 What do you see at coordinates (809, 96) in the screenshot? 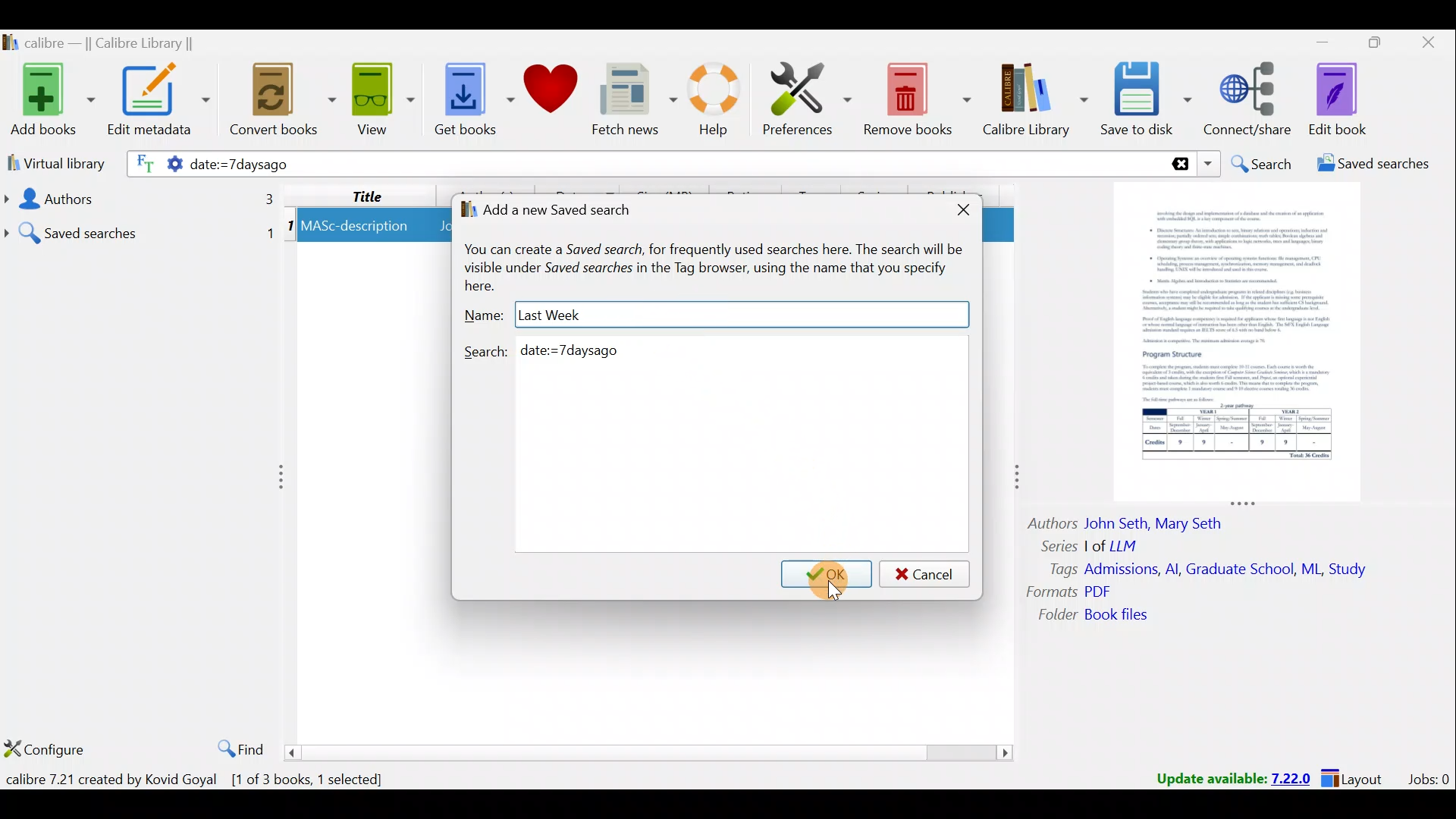
I see `Preferences` at bounding box center [809, 96].